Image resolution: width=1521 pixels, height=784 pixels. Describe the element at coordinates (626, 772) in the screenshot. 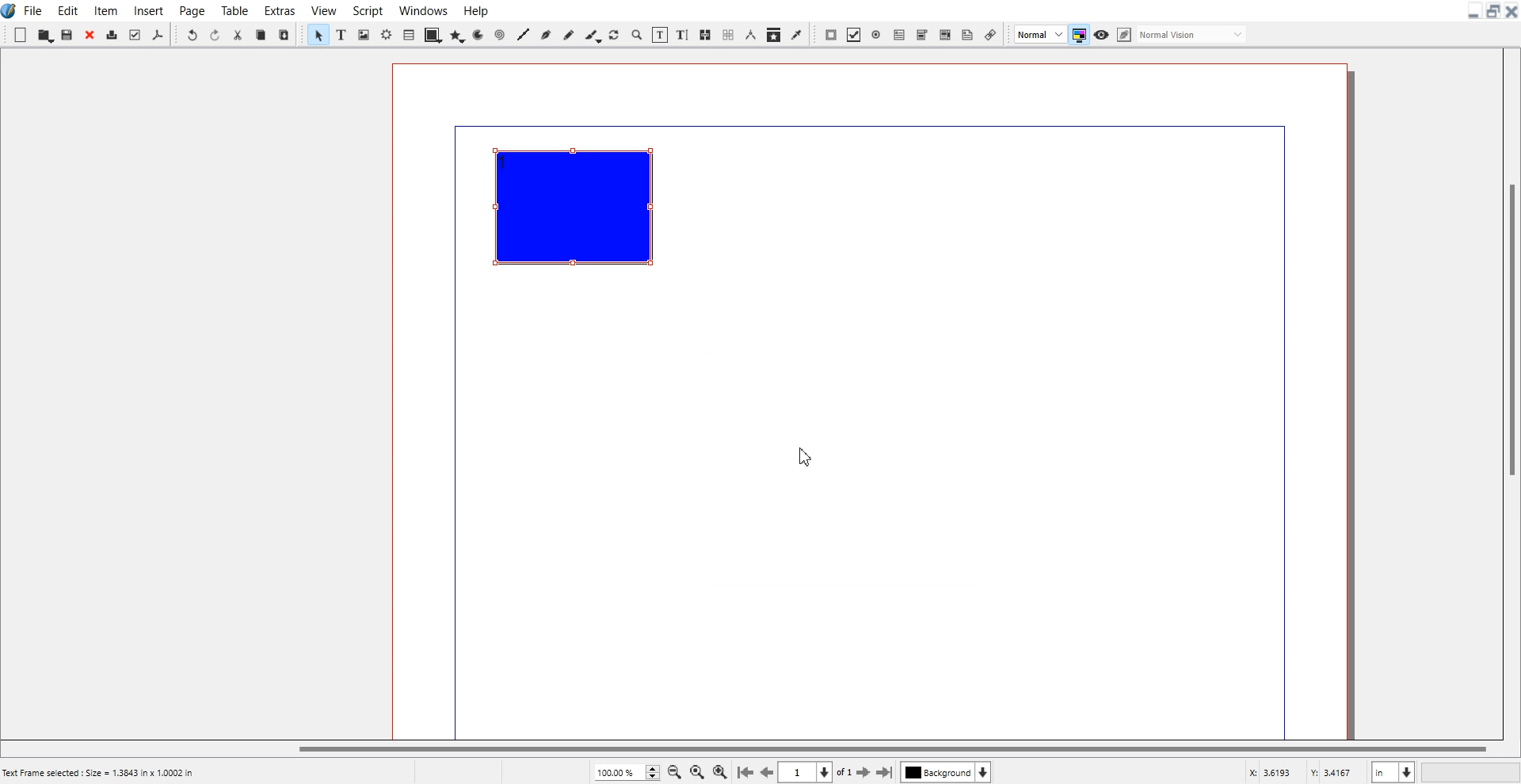

I see `Zoom Adjustment` at that location.